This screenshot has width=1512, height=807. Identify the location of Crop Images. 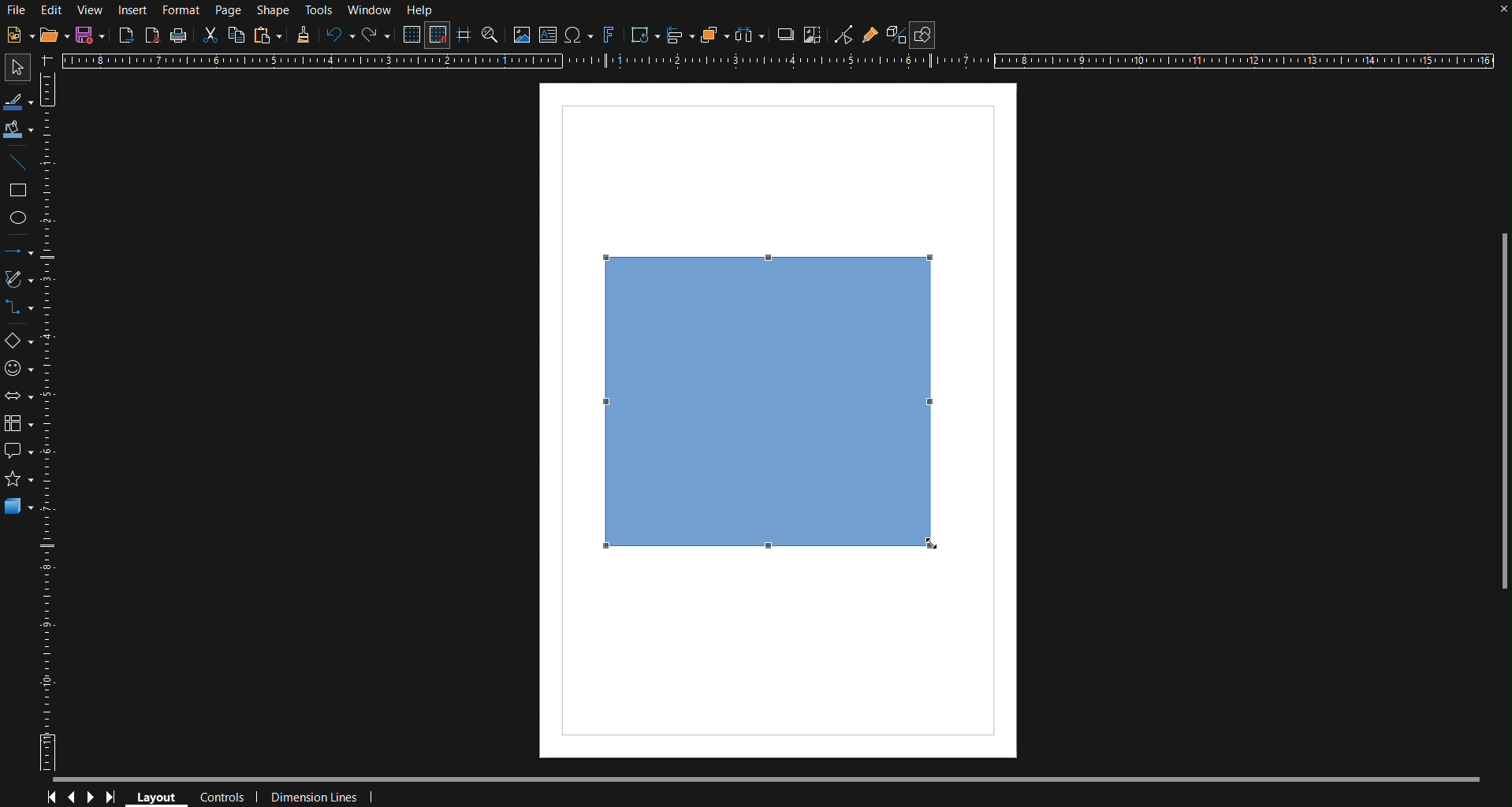
(814, 34).